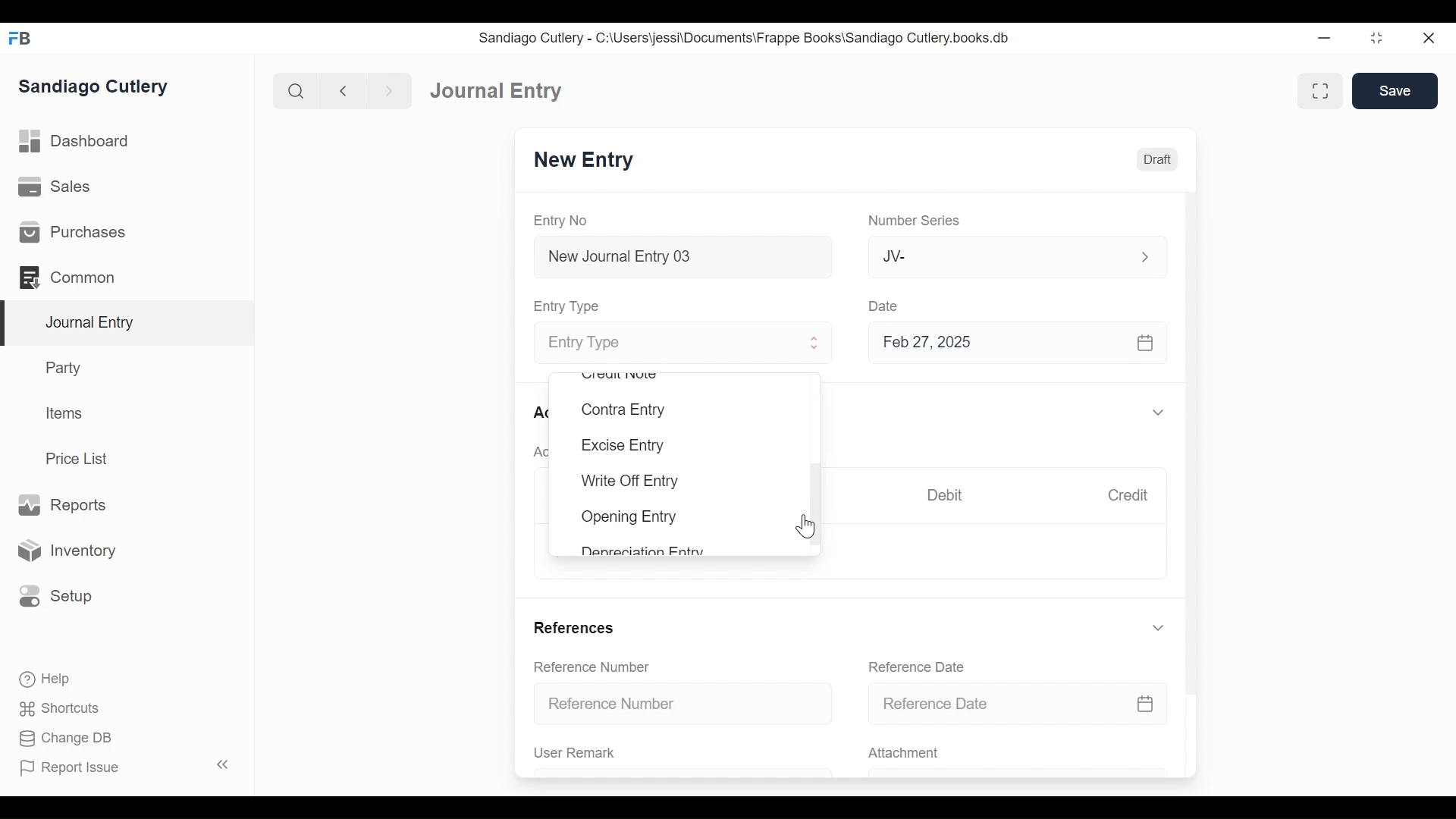  Describe the element at coordinates (71, 768) in the screenshot. I see `Report Issue` at that location.